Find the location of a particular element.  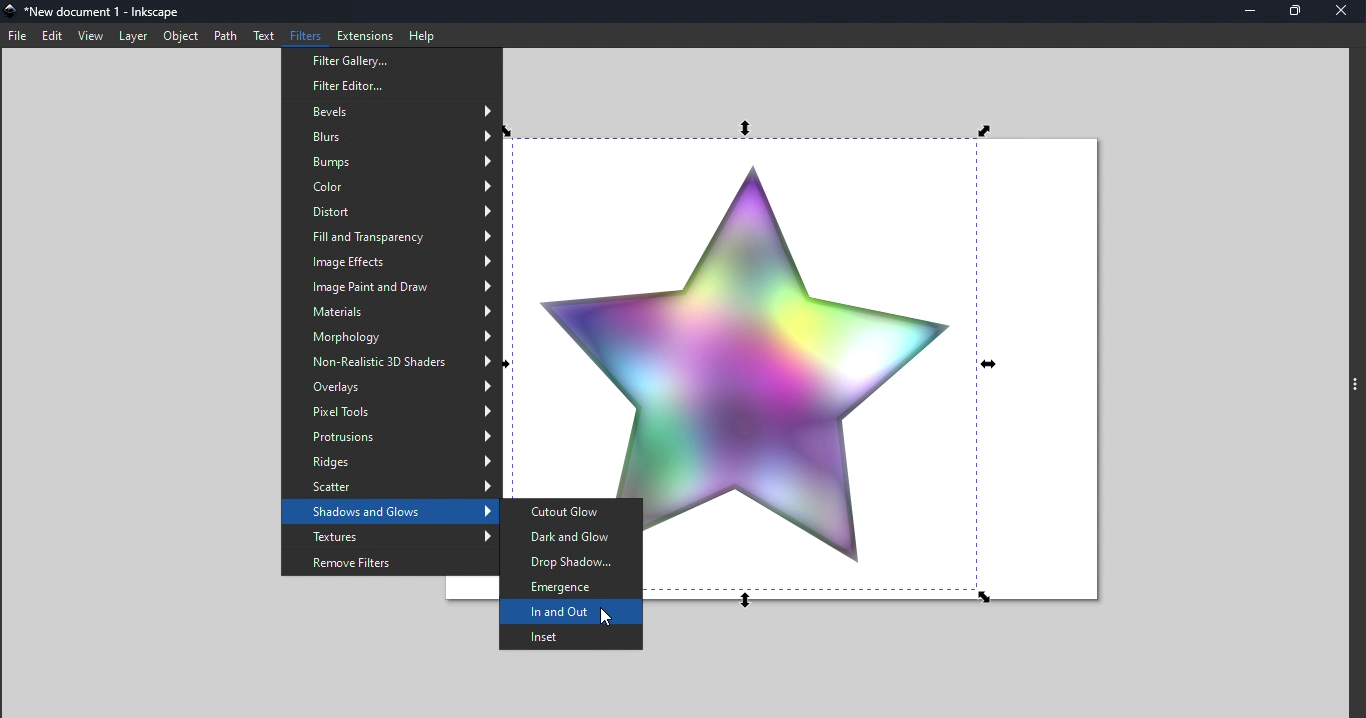

Path is located at coordinates (228, 37).